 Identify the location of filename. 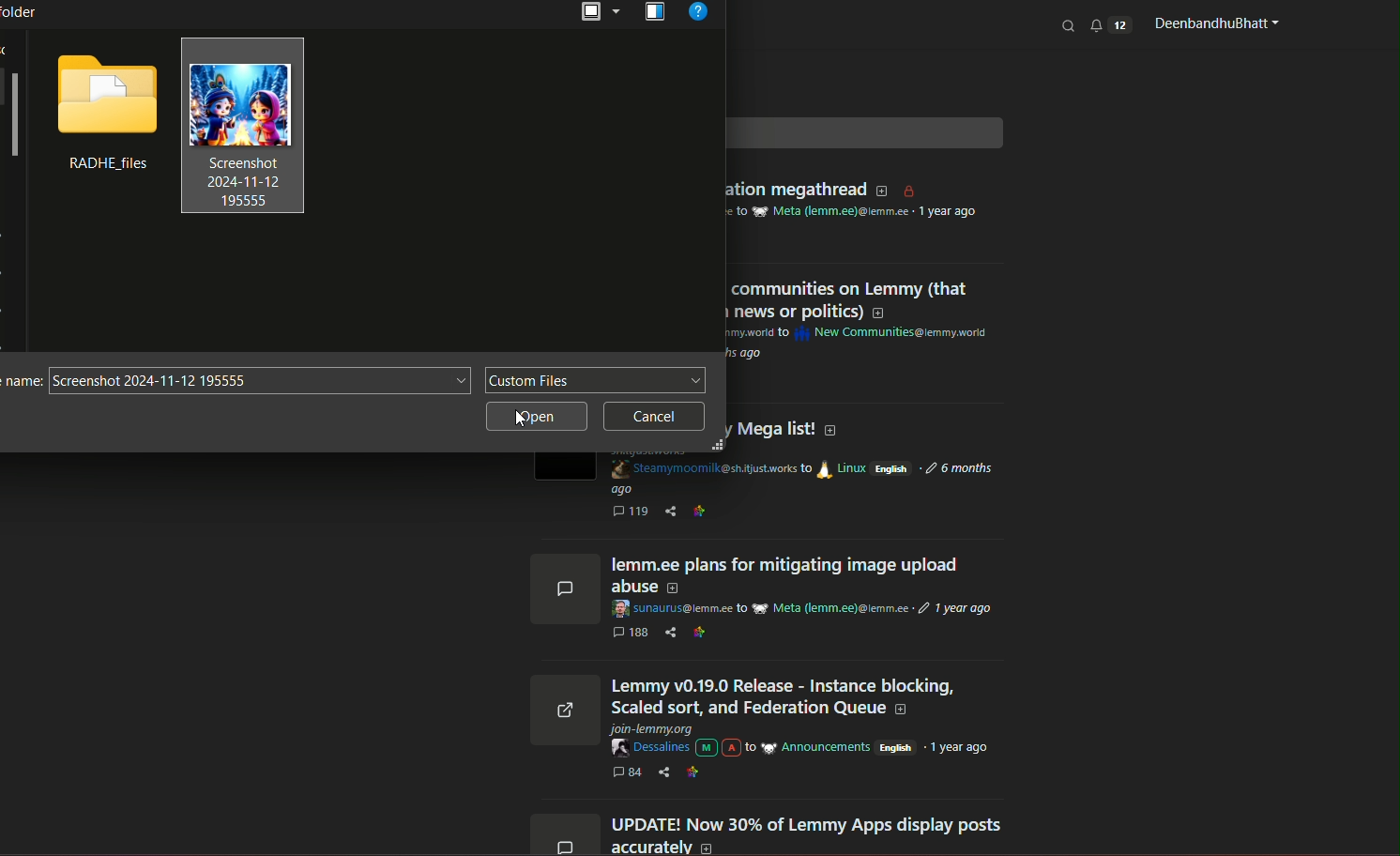
(259, 382).